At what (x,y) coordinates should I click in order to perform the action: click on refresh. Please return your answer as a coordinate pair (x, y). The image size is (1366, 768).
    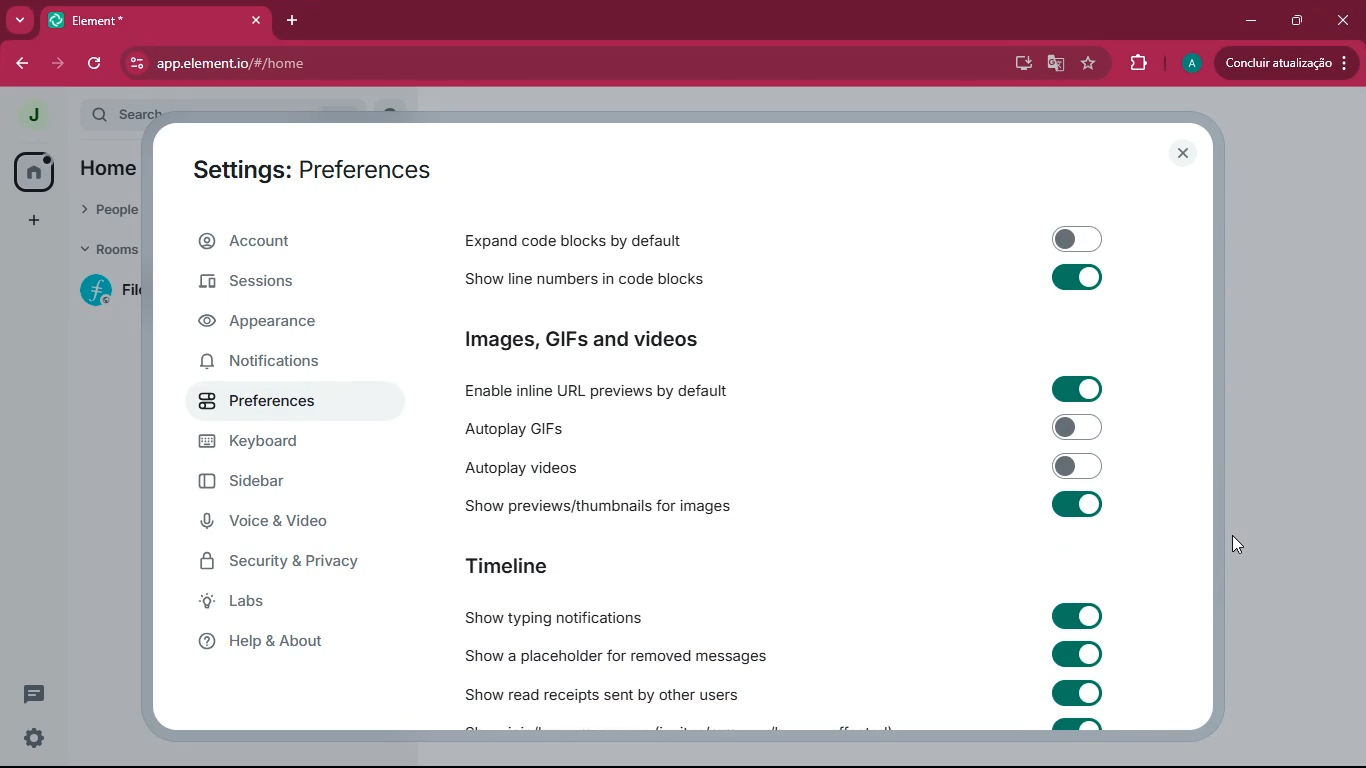
    Looking at the image, I should click on (94, 65).